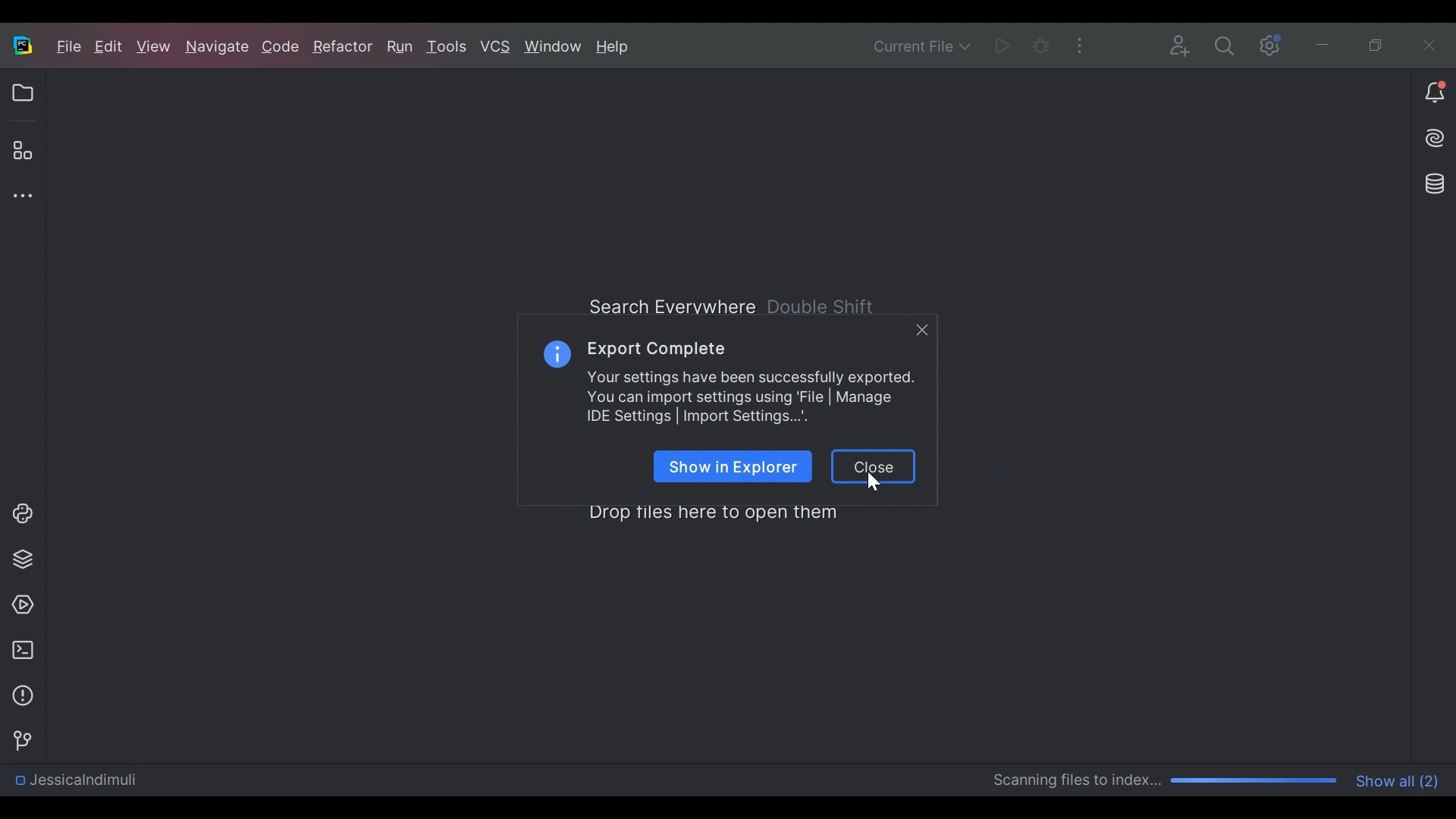 This screenshot has height=819, width=1456. Describe the element at coordinates (558, 351) in the screenshot. I see `Information` at that location.